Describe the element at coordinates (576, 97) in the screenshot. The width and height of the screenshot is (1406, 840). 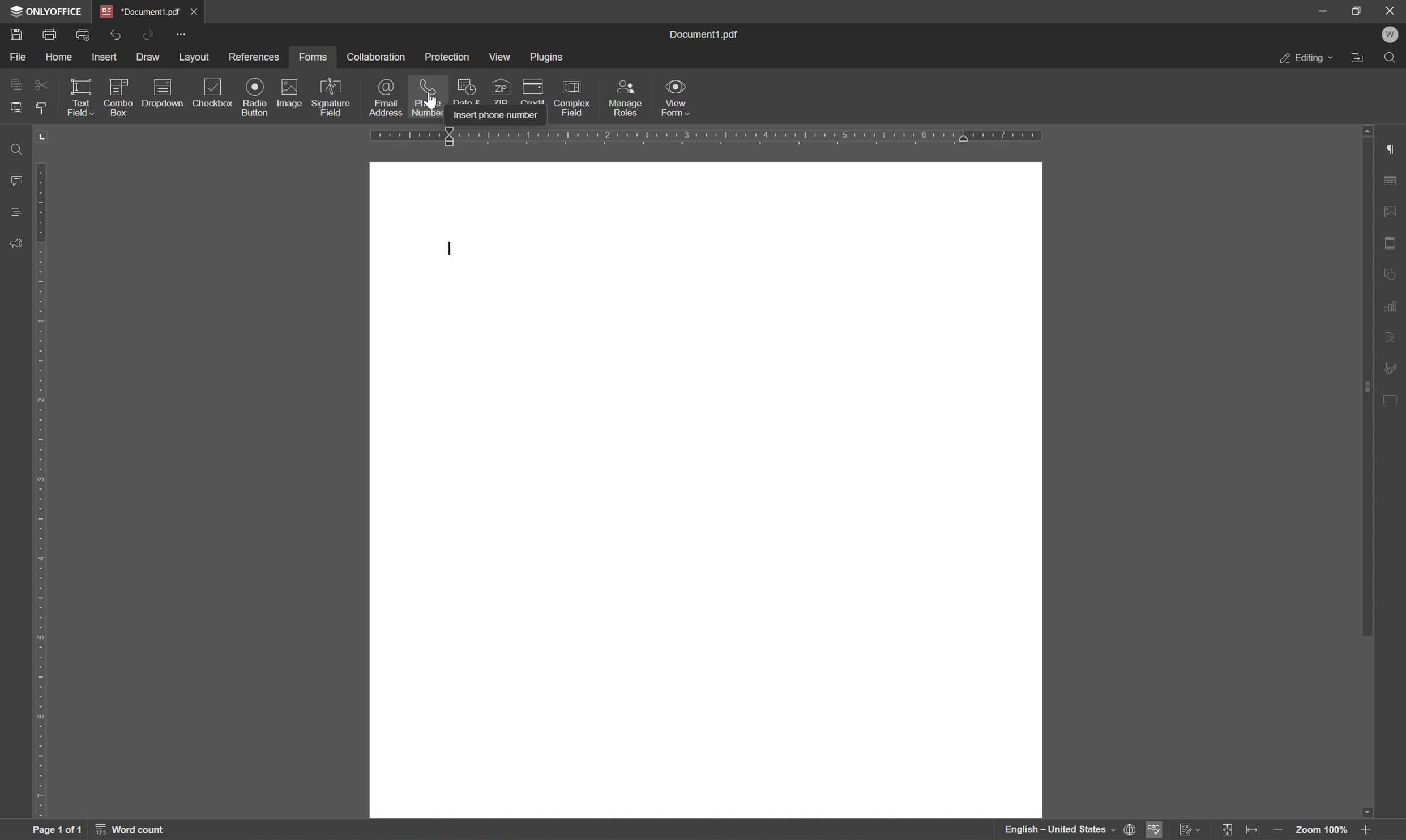
I see `complex field` at that location.